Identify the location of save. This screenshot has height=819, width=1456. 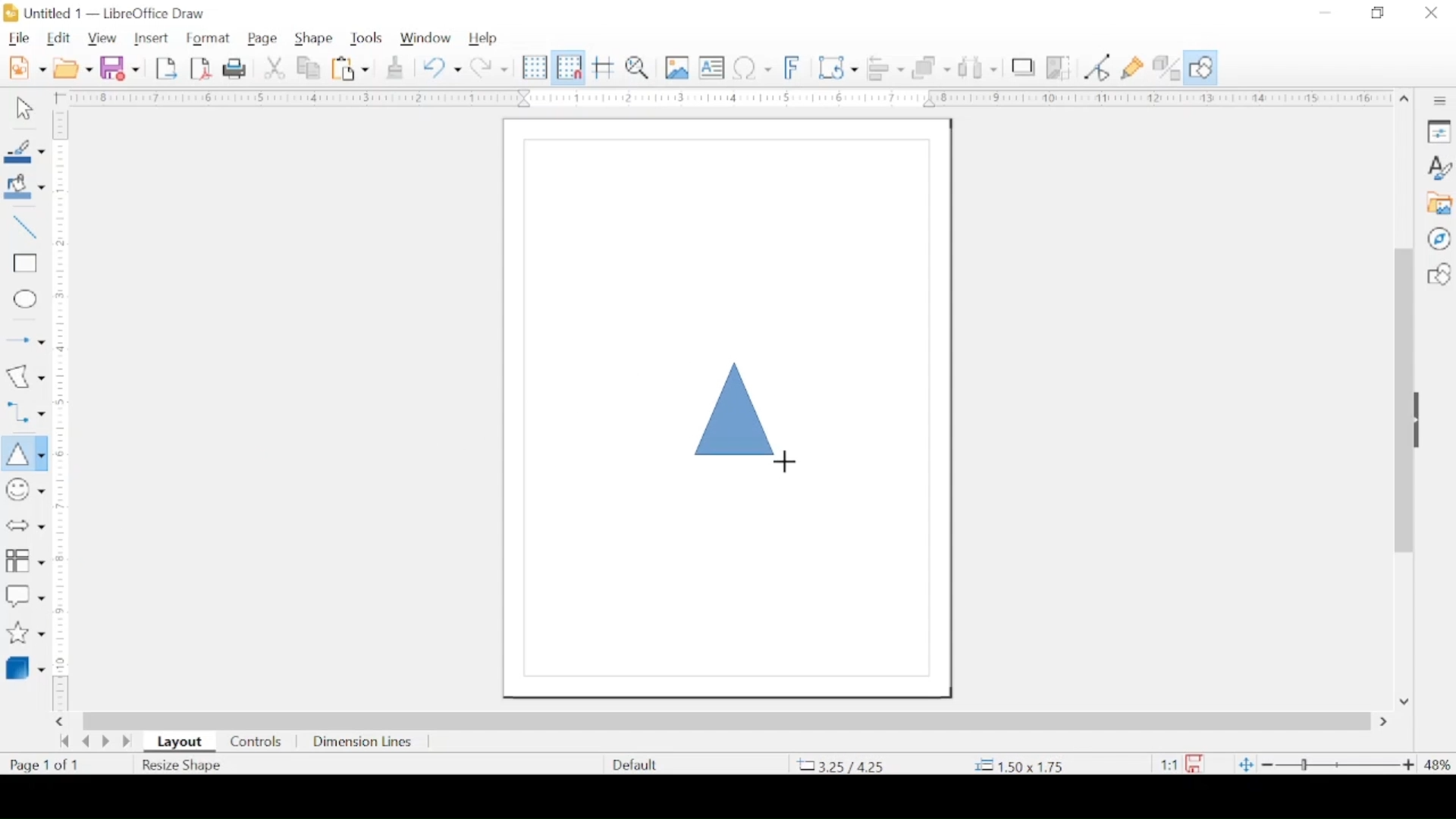
(121, 67).